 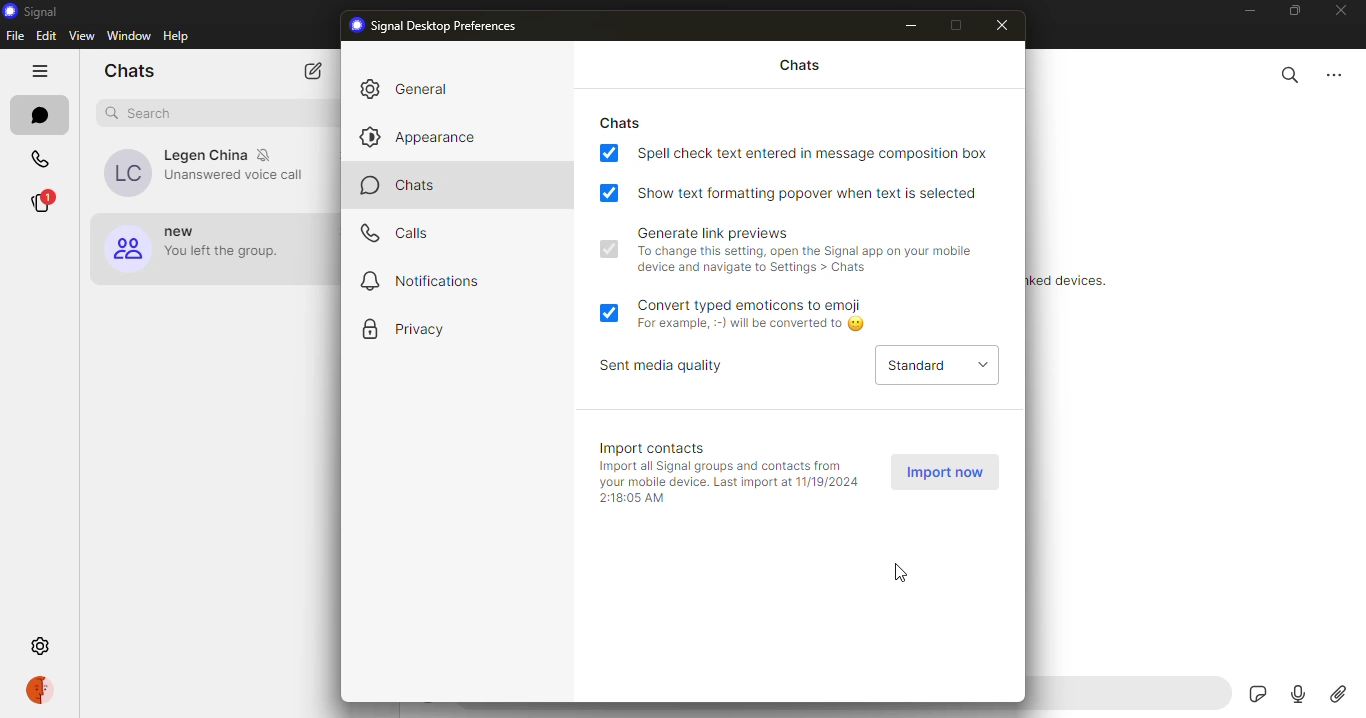 What do you see at coordinates (45, 35) in the screenshot?
I see `edit` at bounding box center [45, 35].